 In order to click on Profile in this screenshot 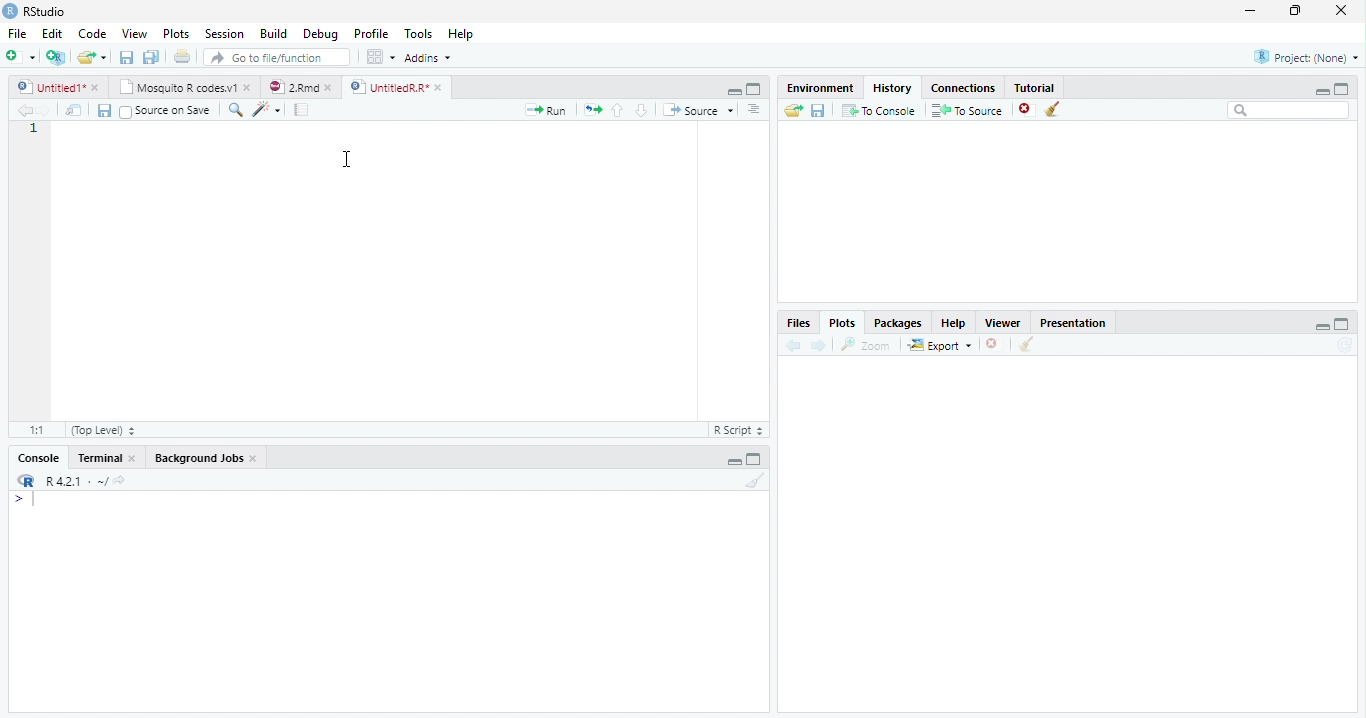, I will do `click(372, 35)`.